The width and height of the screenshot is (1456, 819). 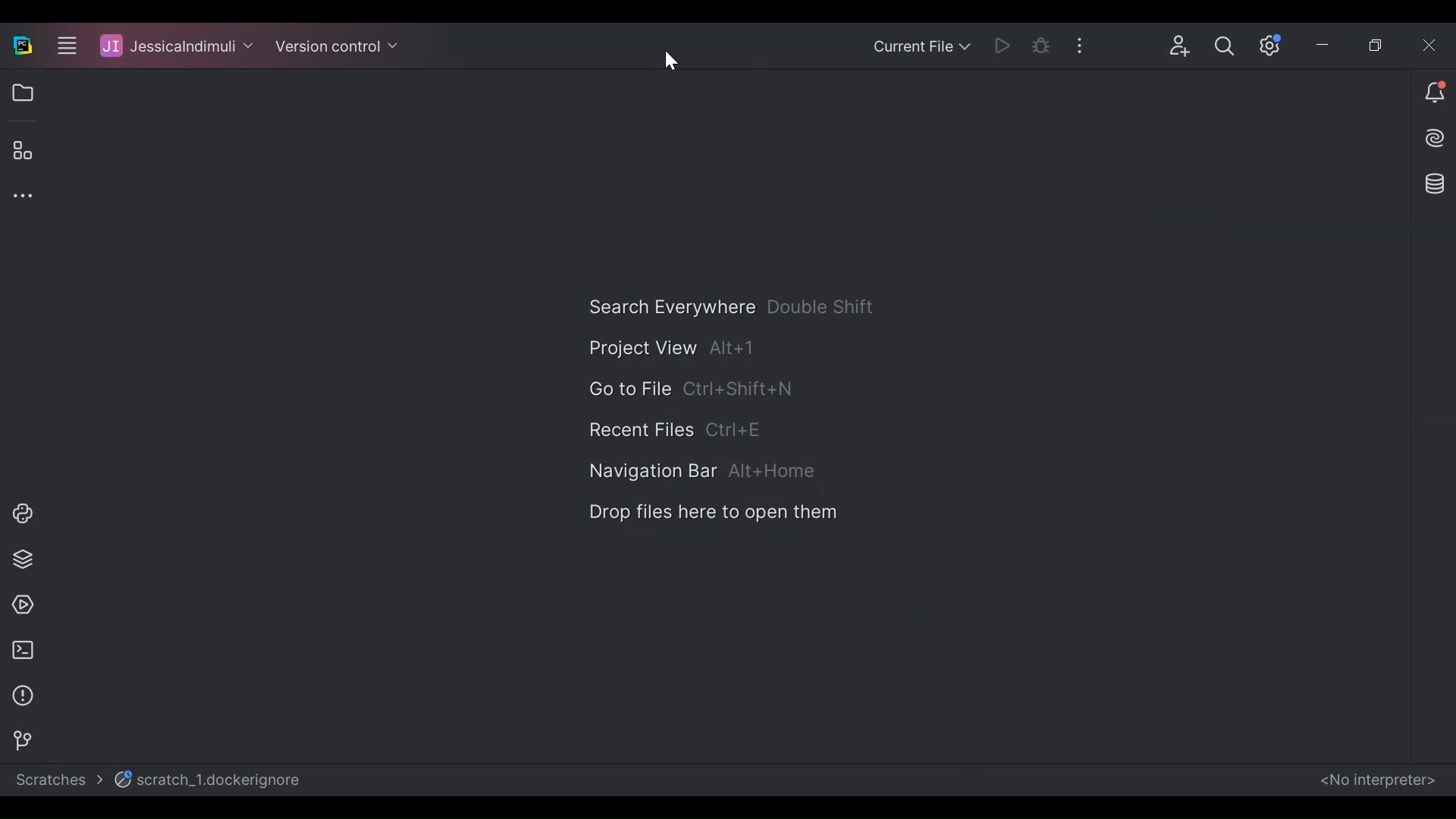 I want to click on Recent Files, so click(x=676, y=428).